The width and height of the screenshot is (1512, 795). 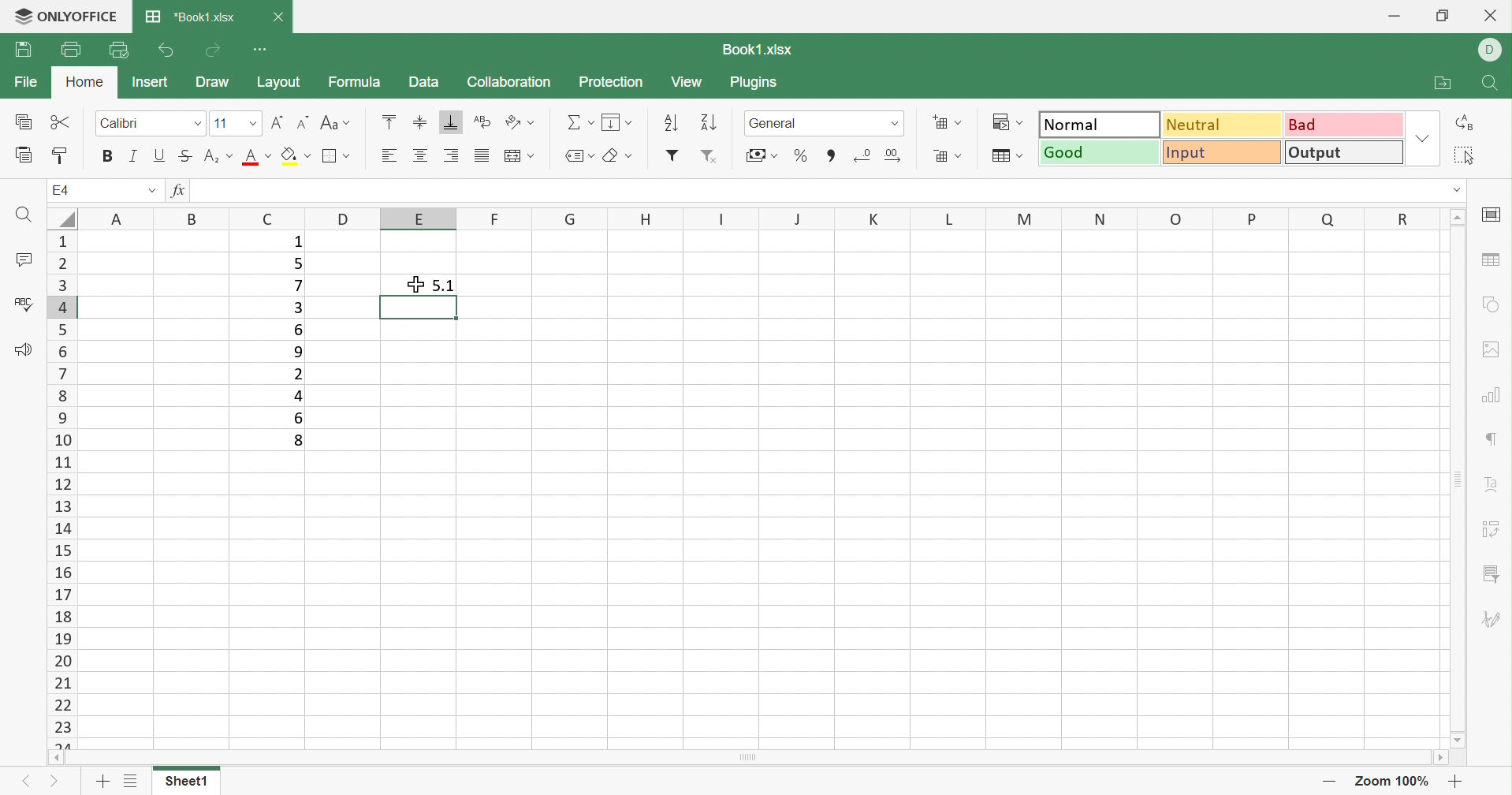 What do you see at coordinates (58, 756) in the screenshot?
I see `Scroll Left` at bounding box center [58, 756].